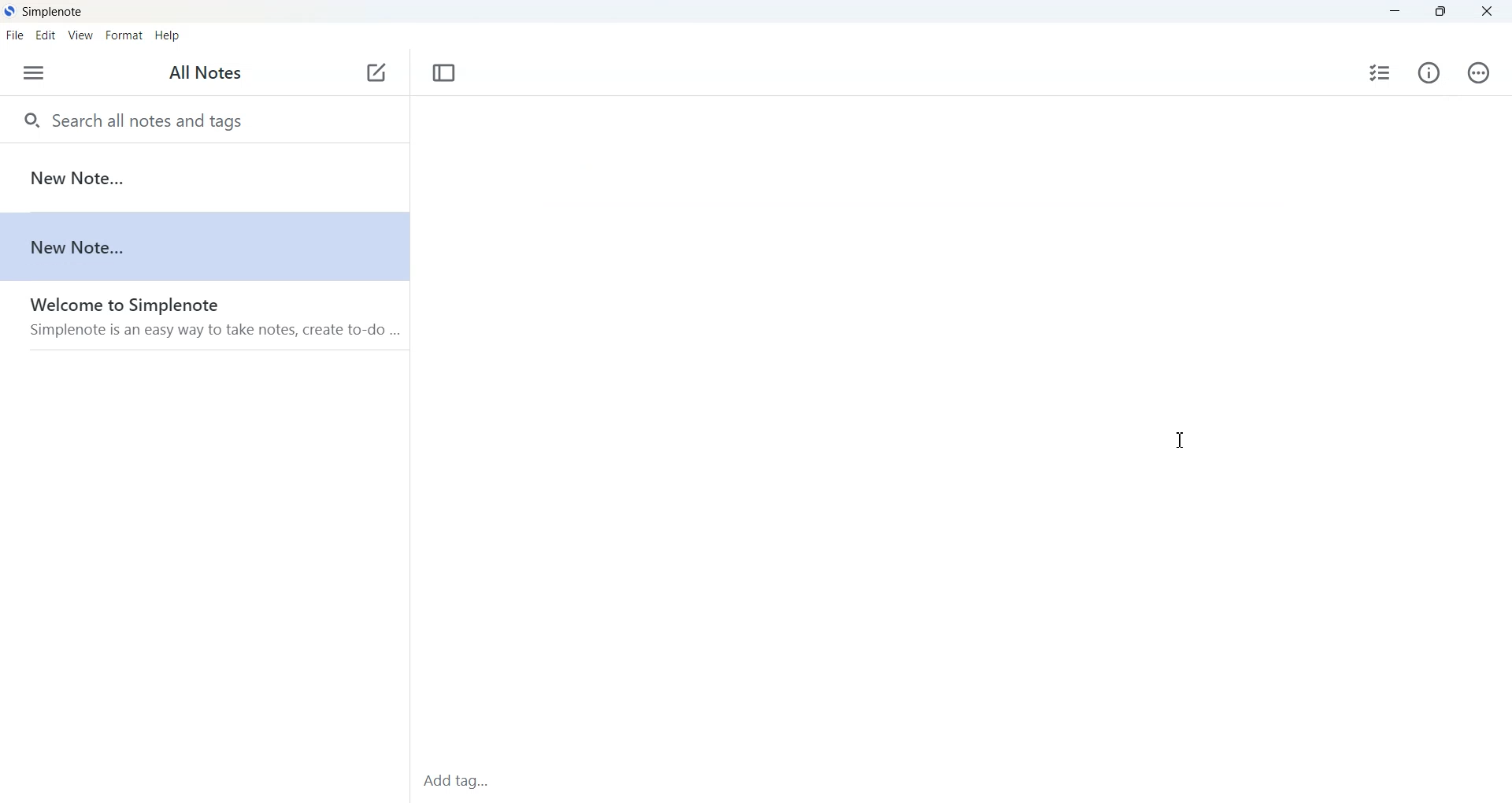 The height and width of the screenshot is (803, 1512). Describe the element at coordinates (203, 316) in the screenshot. I see `welcome to simplenote` at that location.